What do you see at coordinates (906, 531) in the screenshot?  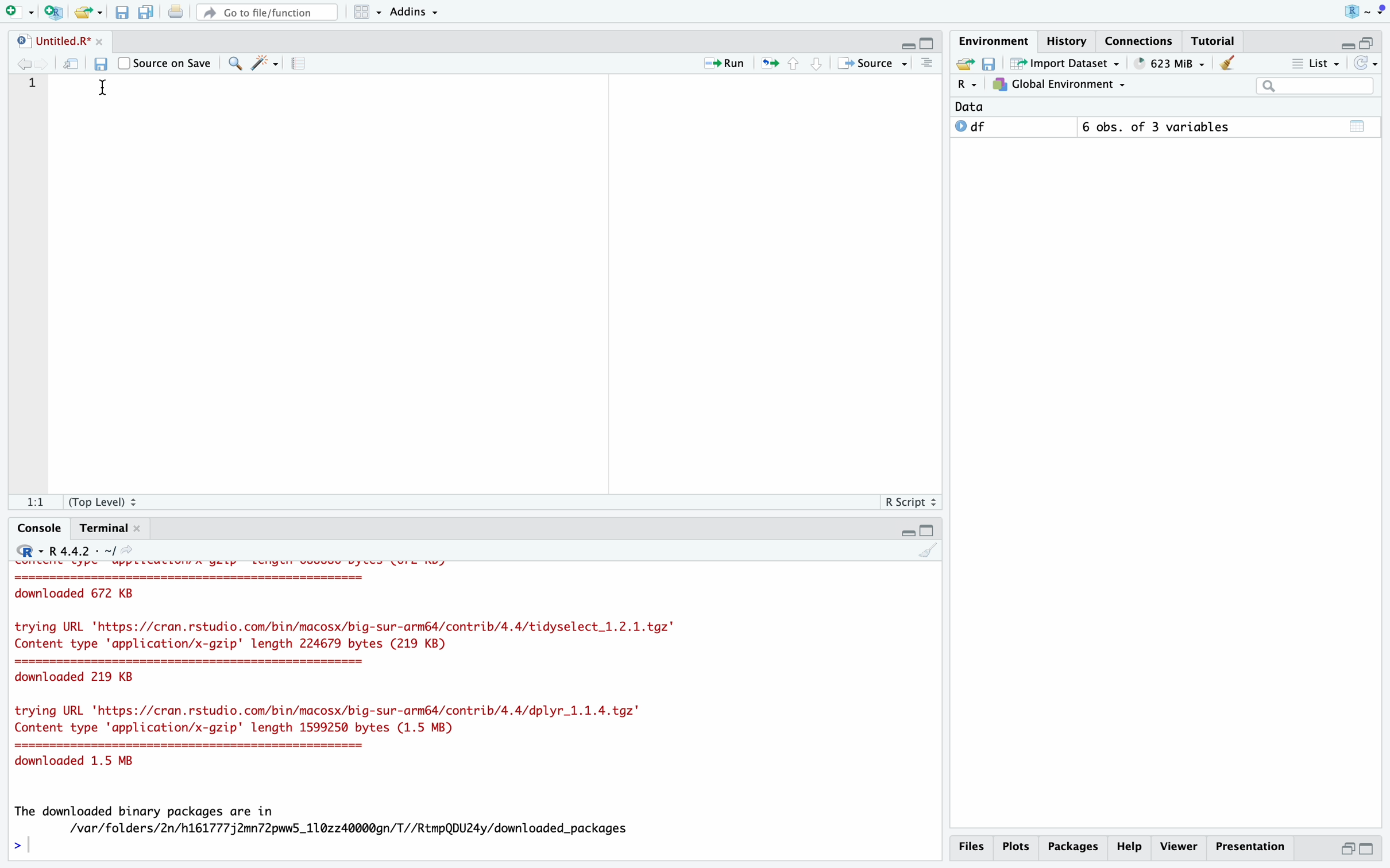 I see `Hide` at bounding box center [906, 531].